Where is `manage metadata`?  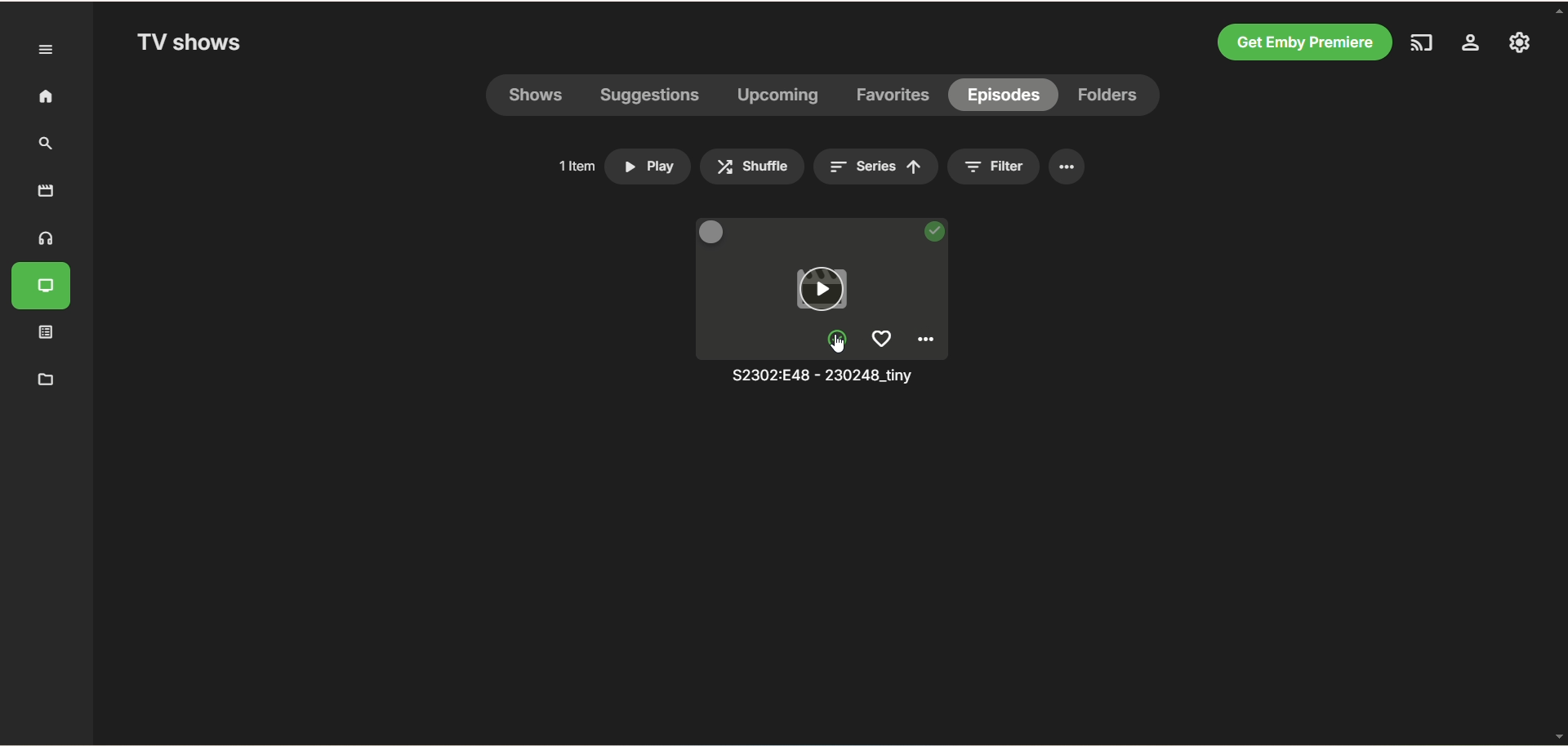
manage metadata is located at coordinates (47, 380).